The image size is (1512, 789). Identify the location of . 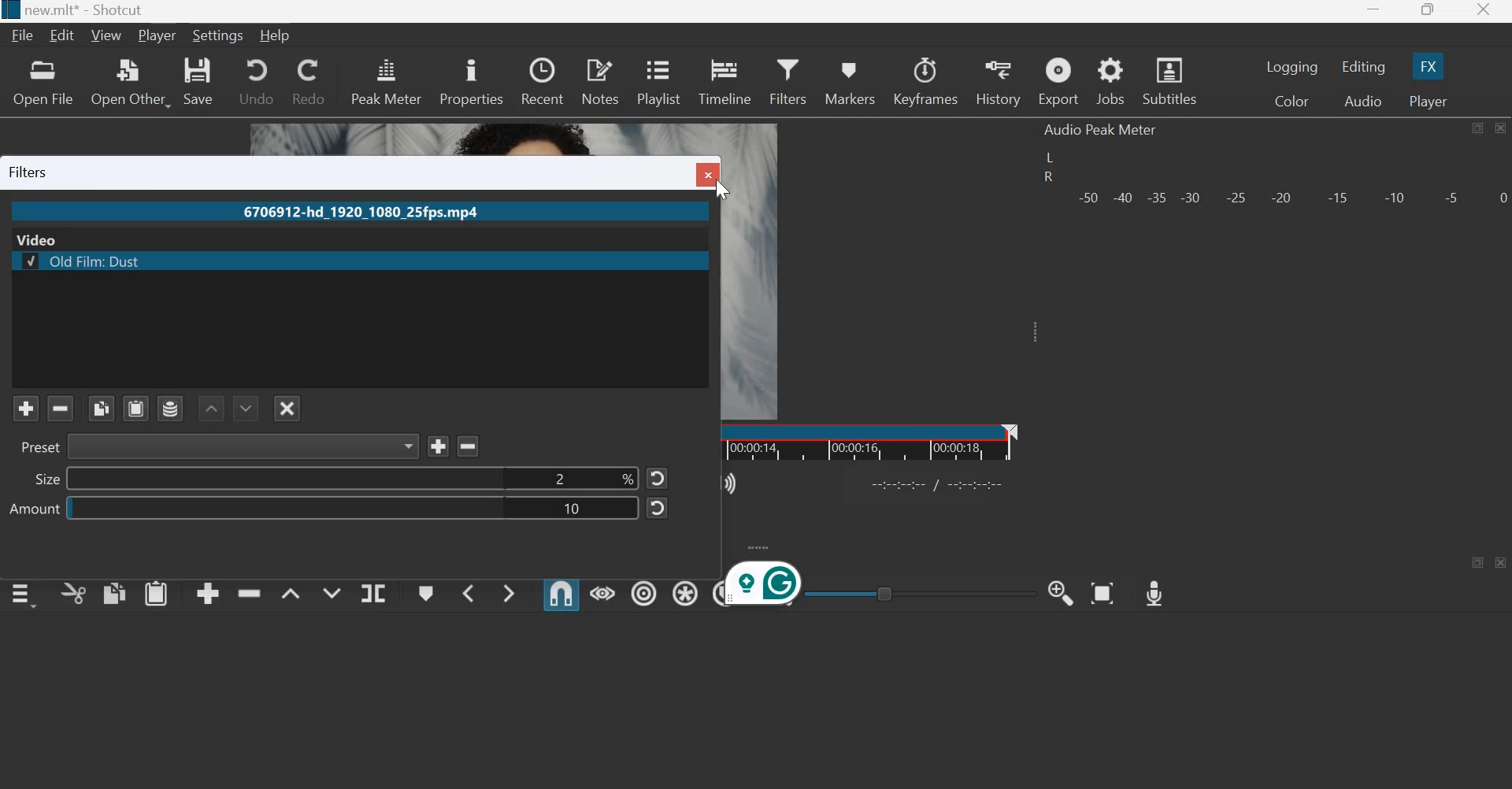
(765, 587).